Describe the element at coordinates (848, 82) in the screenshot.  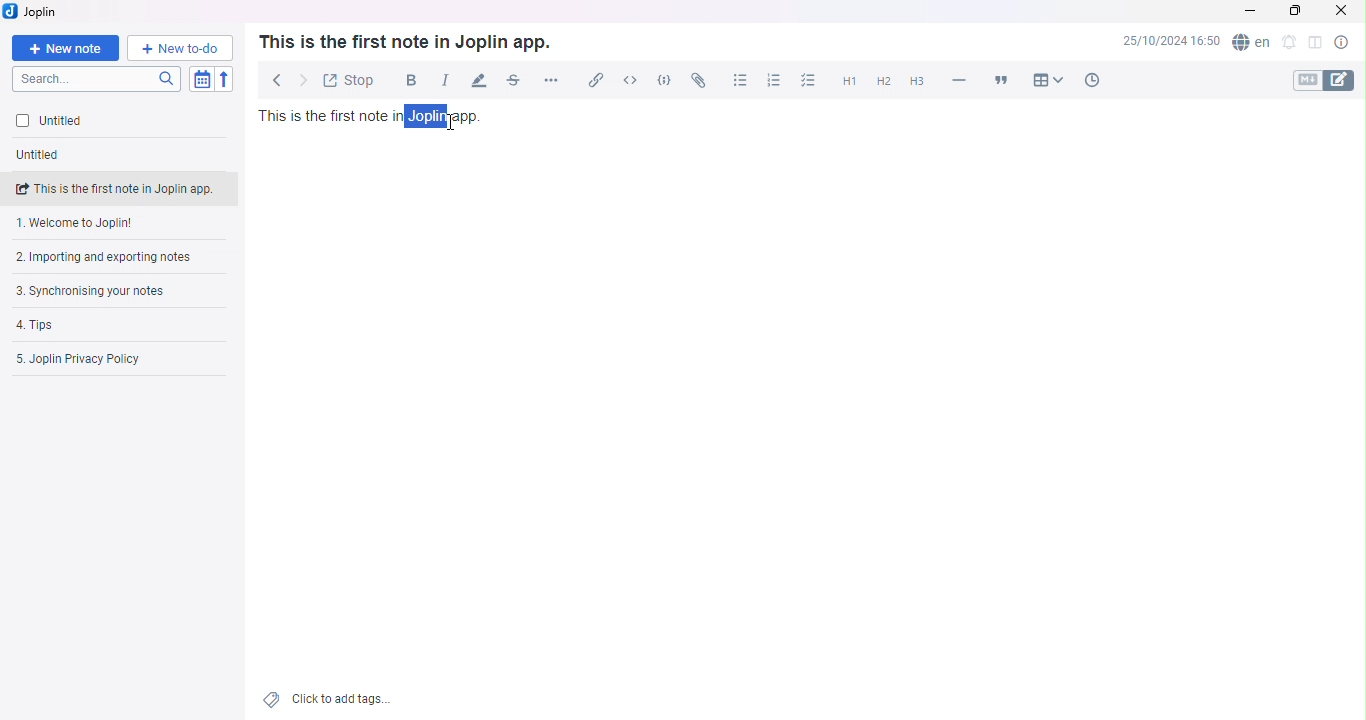
I see `Heading 1` at that location.